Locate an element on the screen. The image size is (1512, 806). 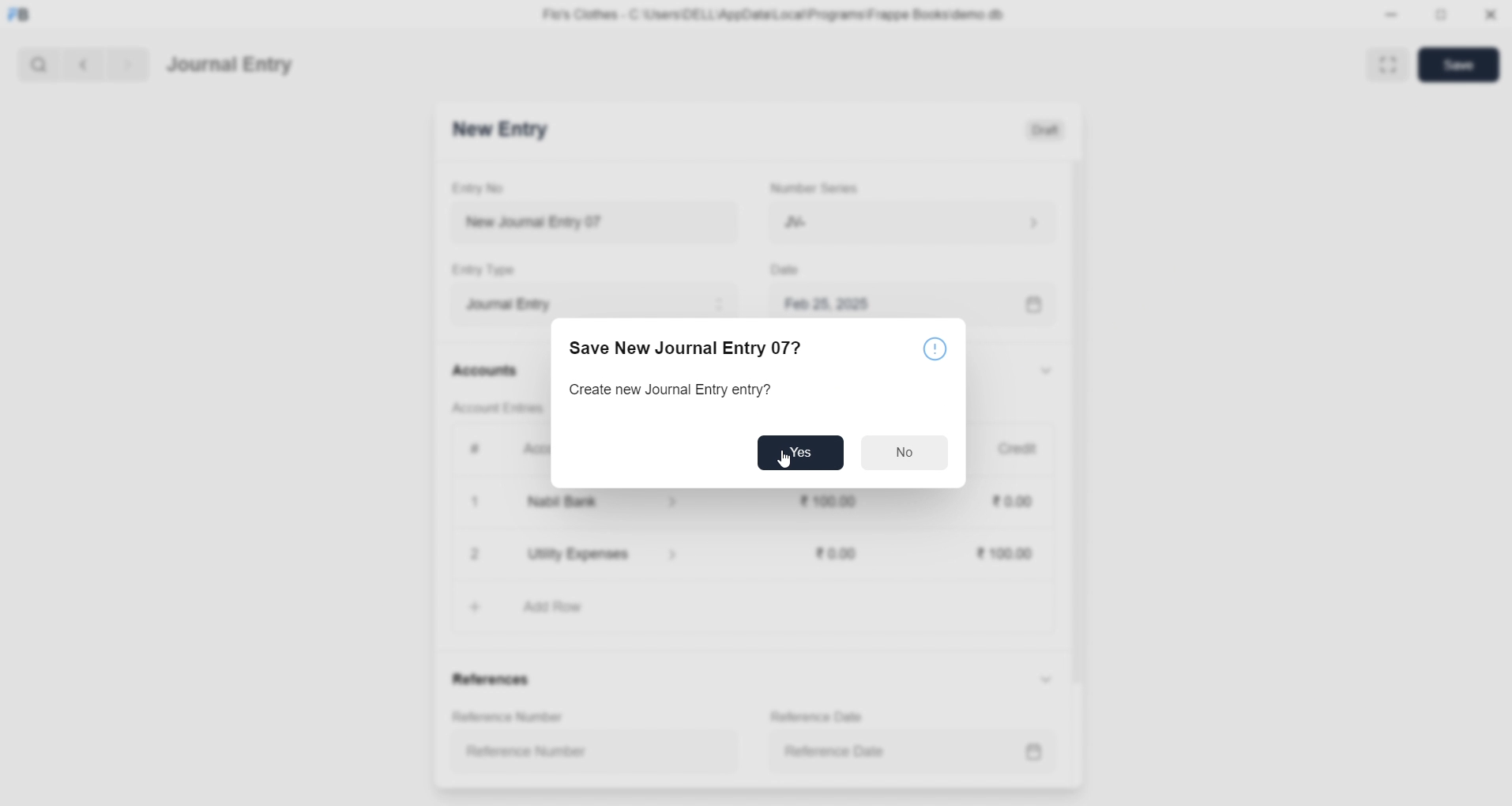
No is located at coordinates (911, 450).